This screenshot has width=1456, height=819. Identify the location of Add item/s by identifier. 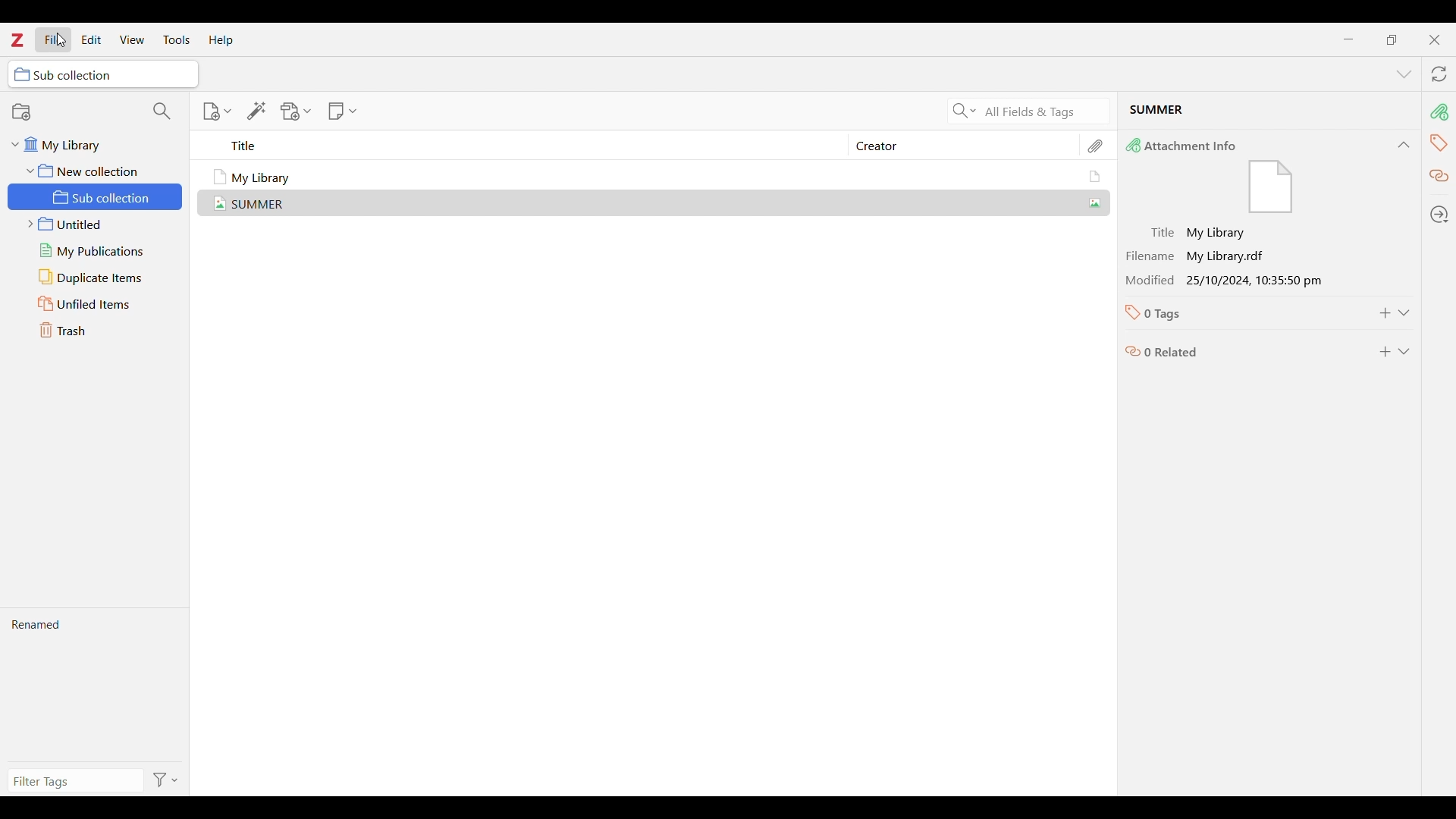
(257, 111).